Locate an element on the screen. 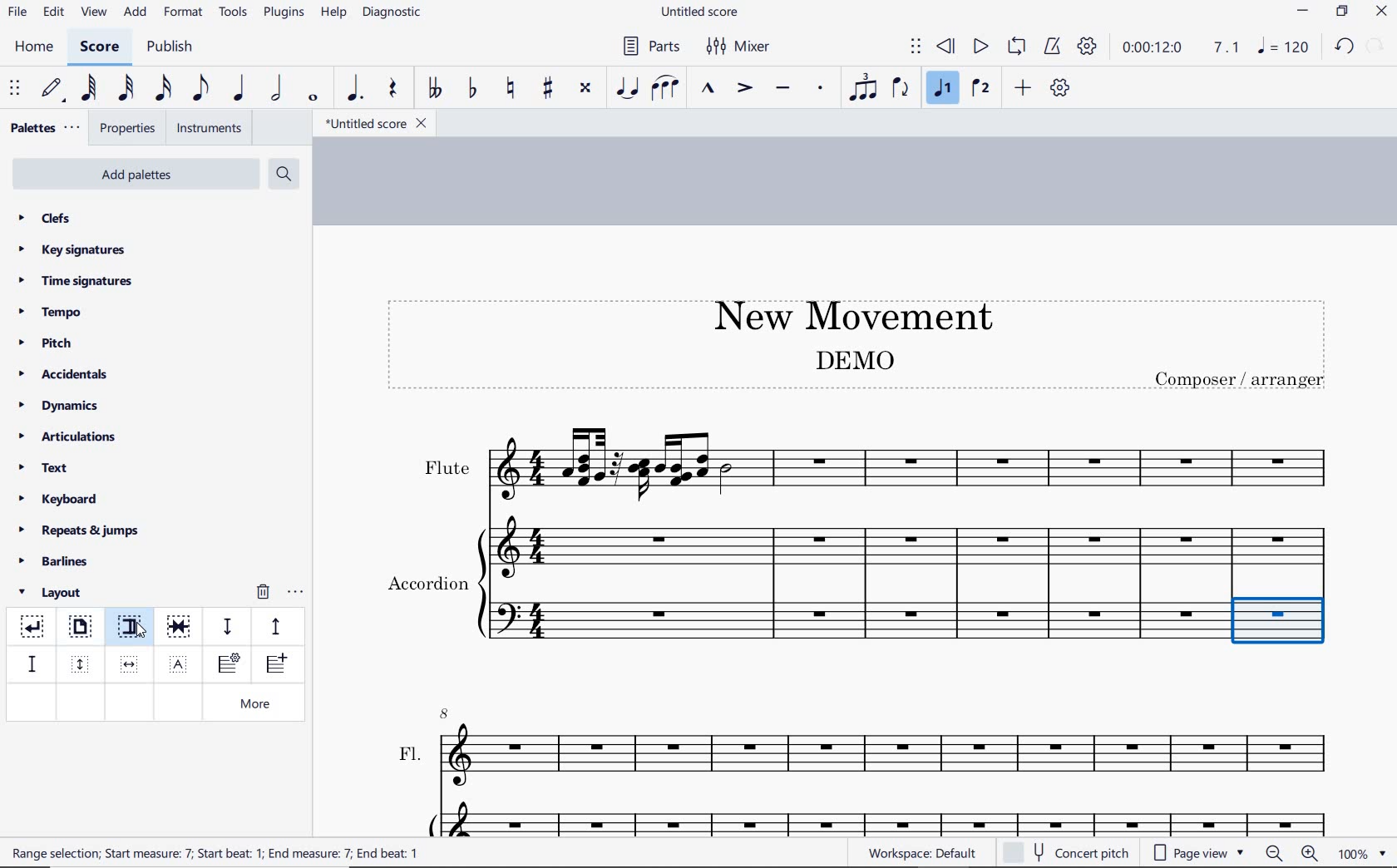  text is located at coordinates (1242, 379).